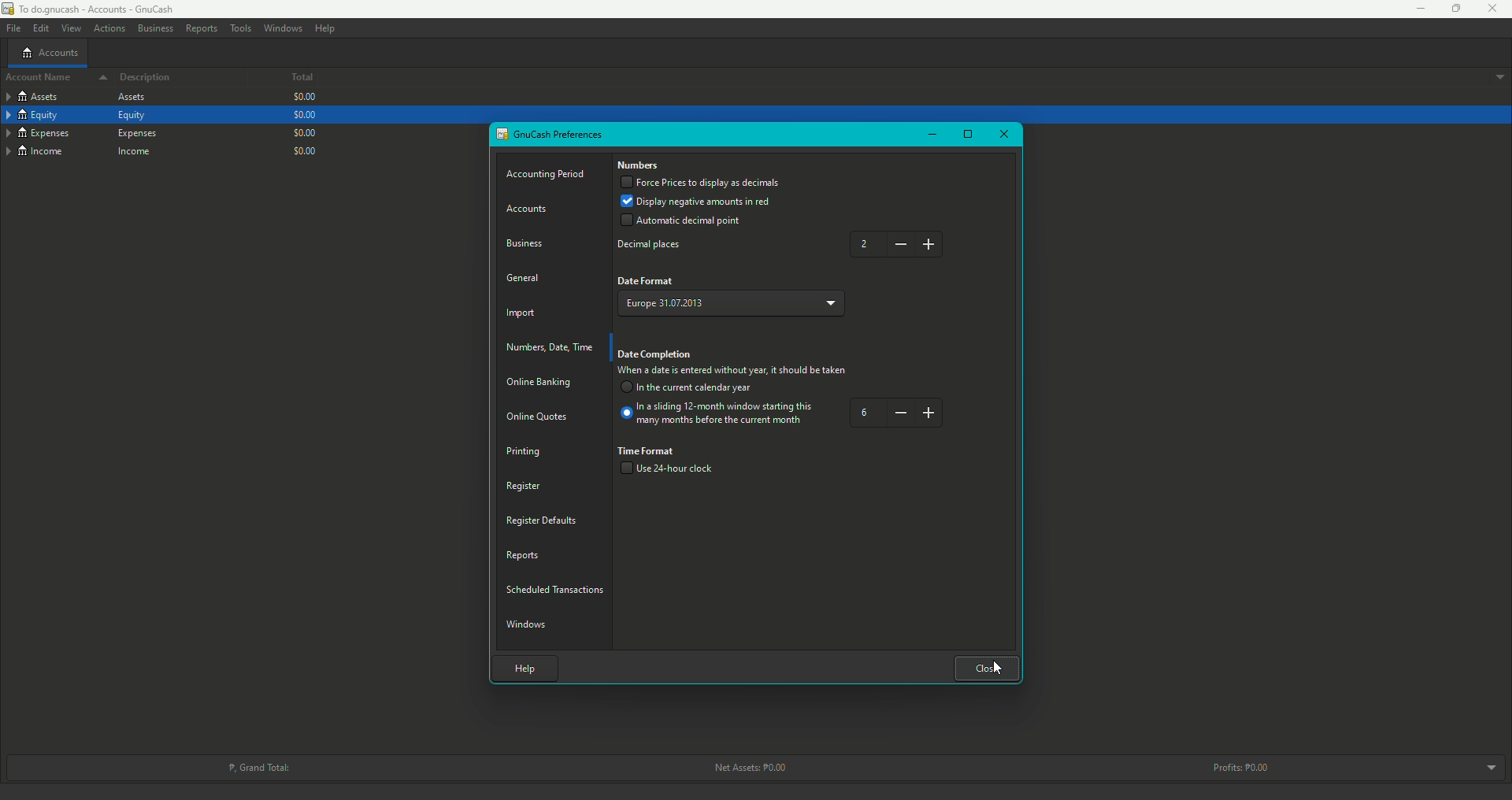 This screenshot has width=1512, height=800. Describe the element at coordinates (735, 300) in the screenshot. I see `Locale` at that location.